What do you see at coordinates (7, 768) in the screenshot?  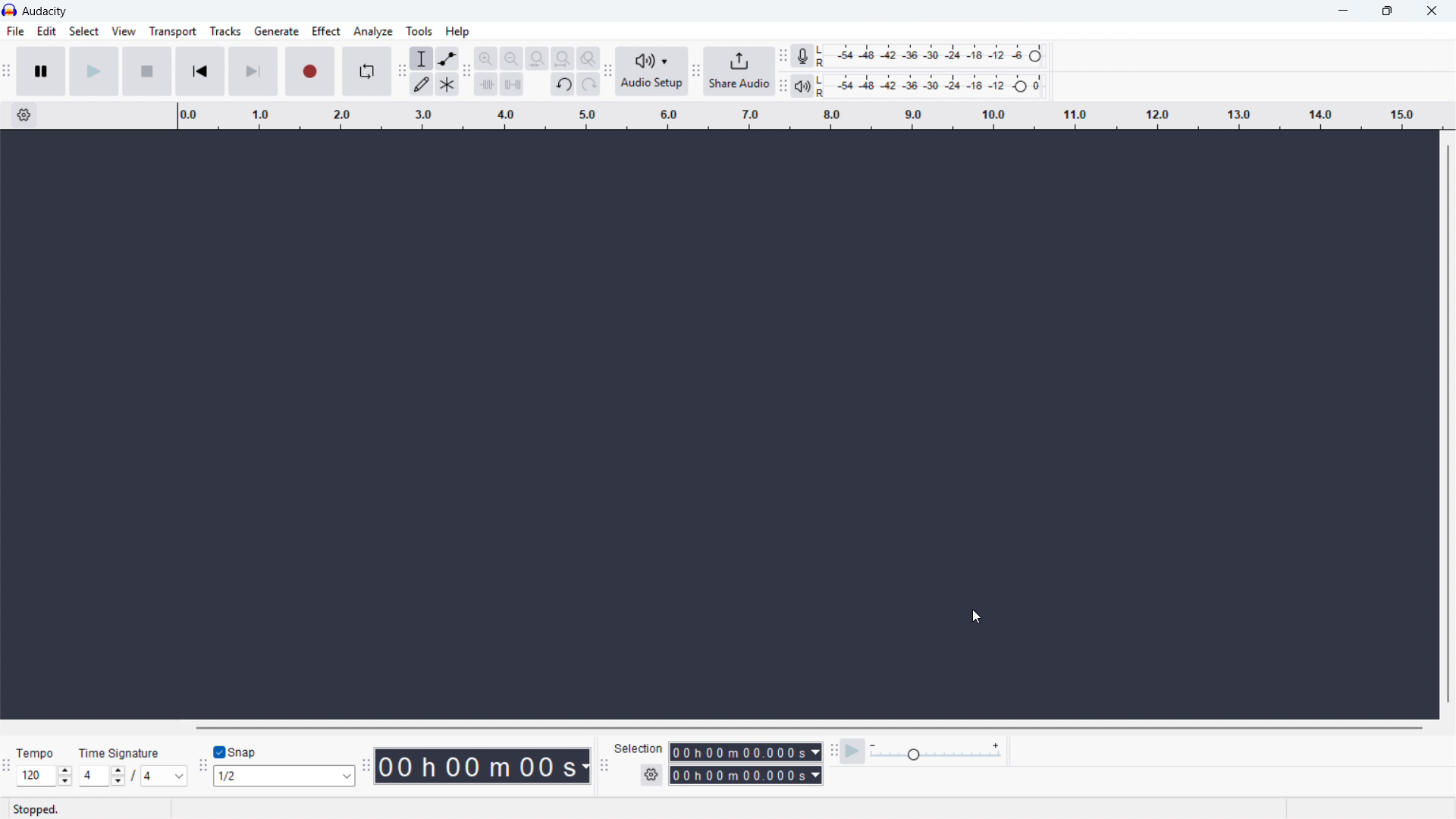 I see `time signature toolbar` at bounding box center [7, 768].